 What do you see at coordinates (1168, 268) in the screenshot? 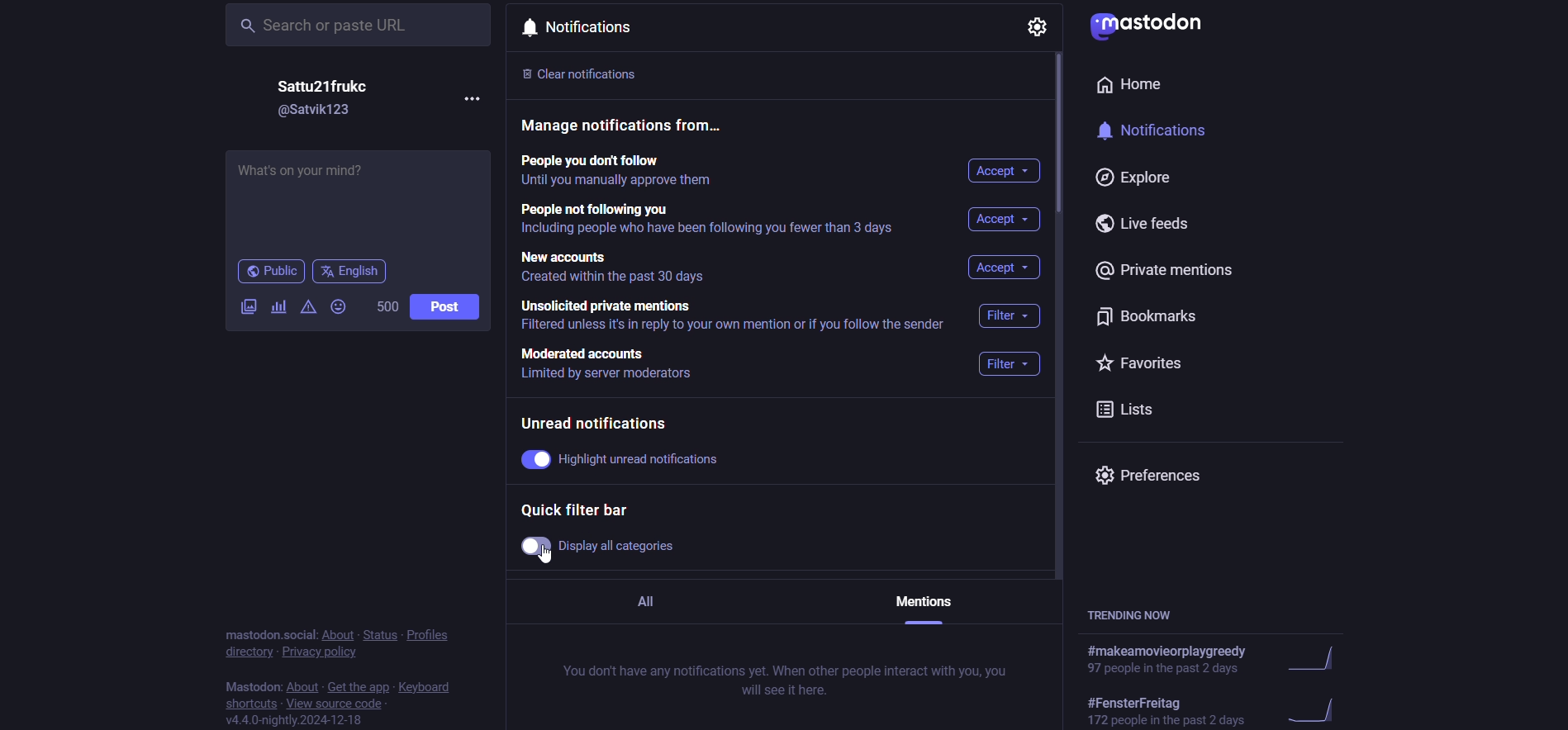
I see `Private mentions` at bounding box center [1168, 268].